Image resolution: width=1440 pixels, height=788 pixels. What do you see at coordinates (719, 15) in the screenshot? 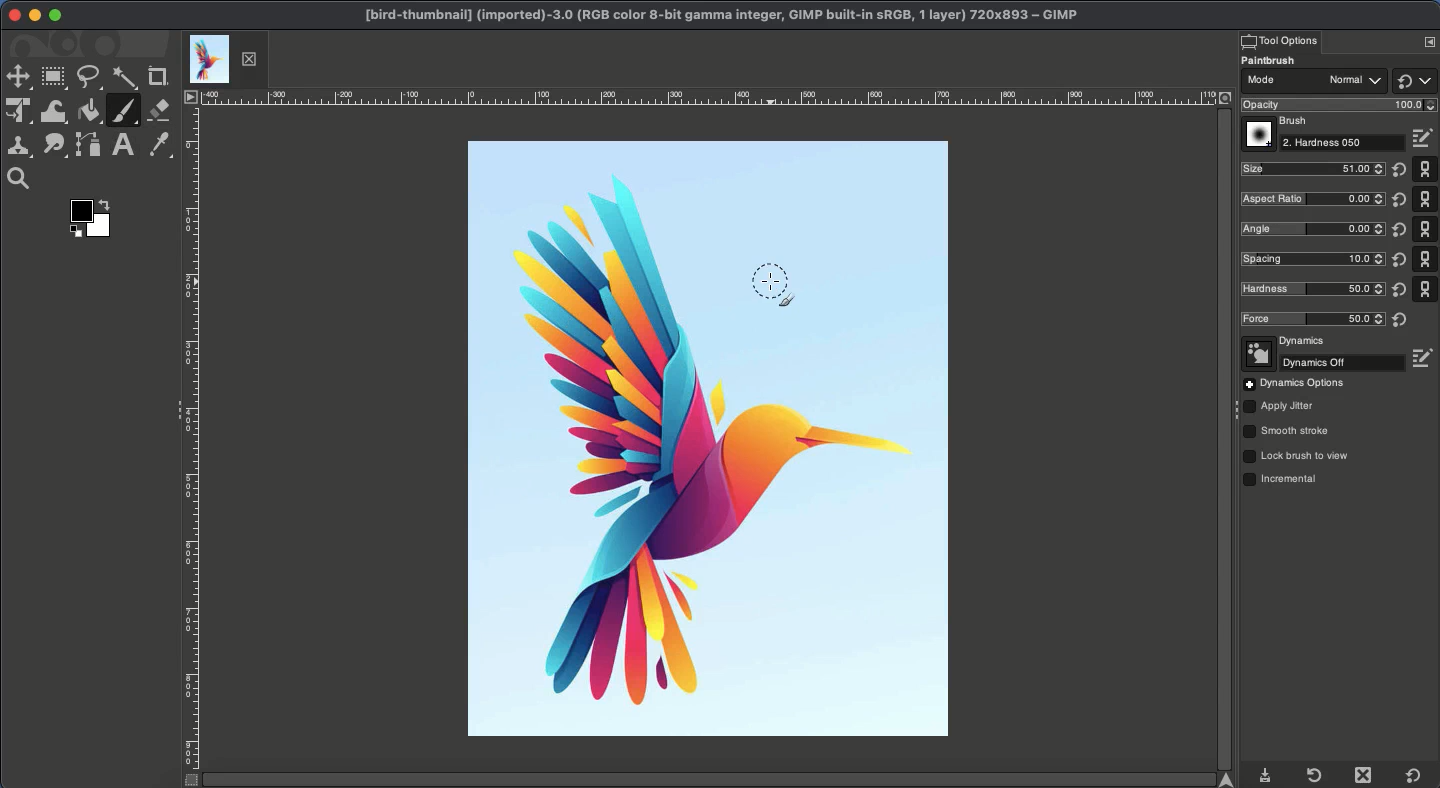
I see `GIMP project` at bounding box center [719, 15].